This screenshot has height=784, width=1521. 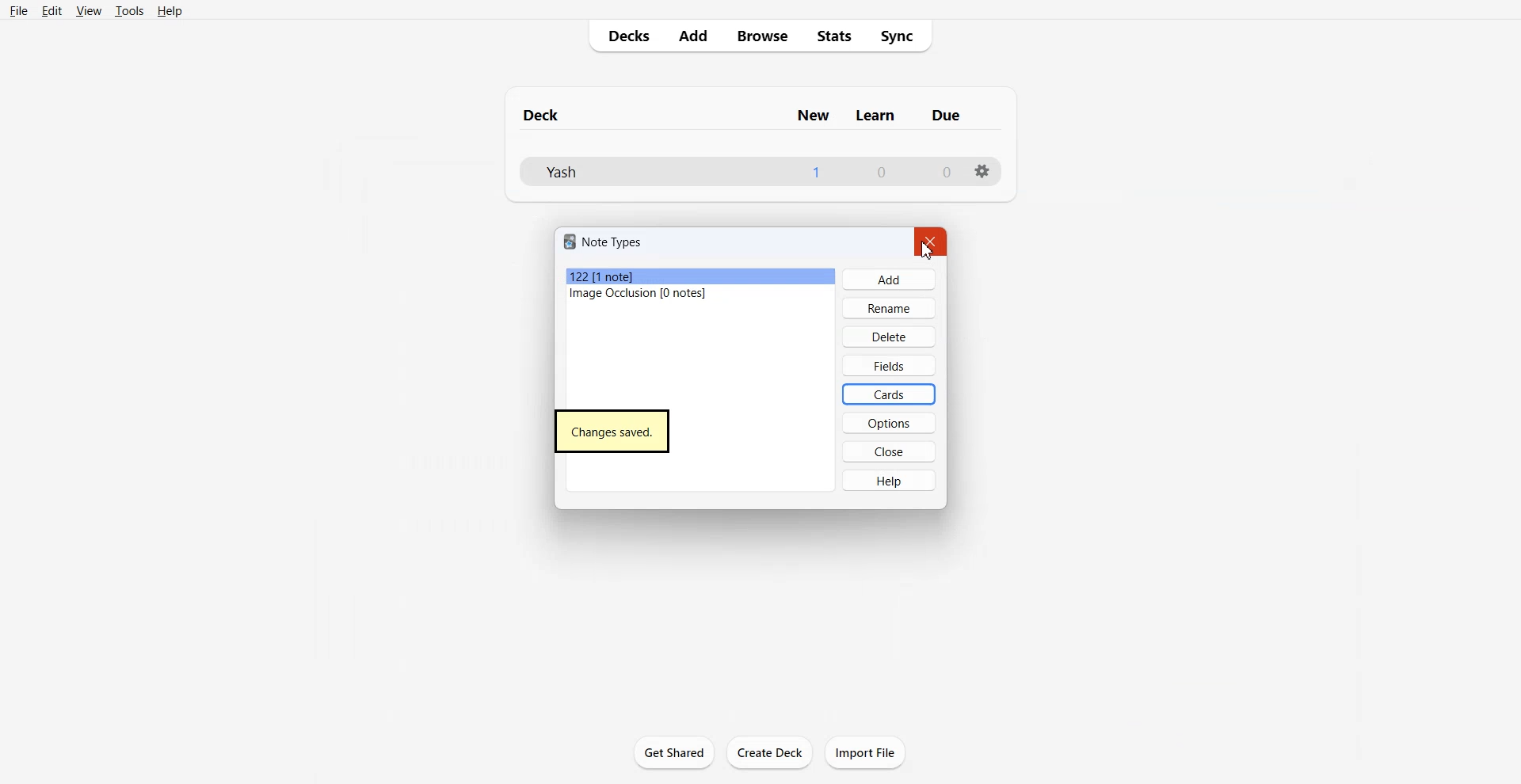 What do you see at coordinates (922, 253) in the screenshot?
I see `Cursor` at bounding box center [922, 253].